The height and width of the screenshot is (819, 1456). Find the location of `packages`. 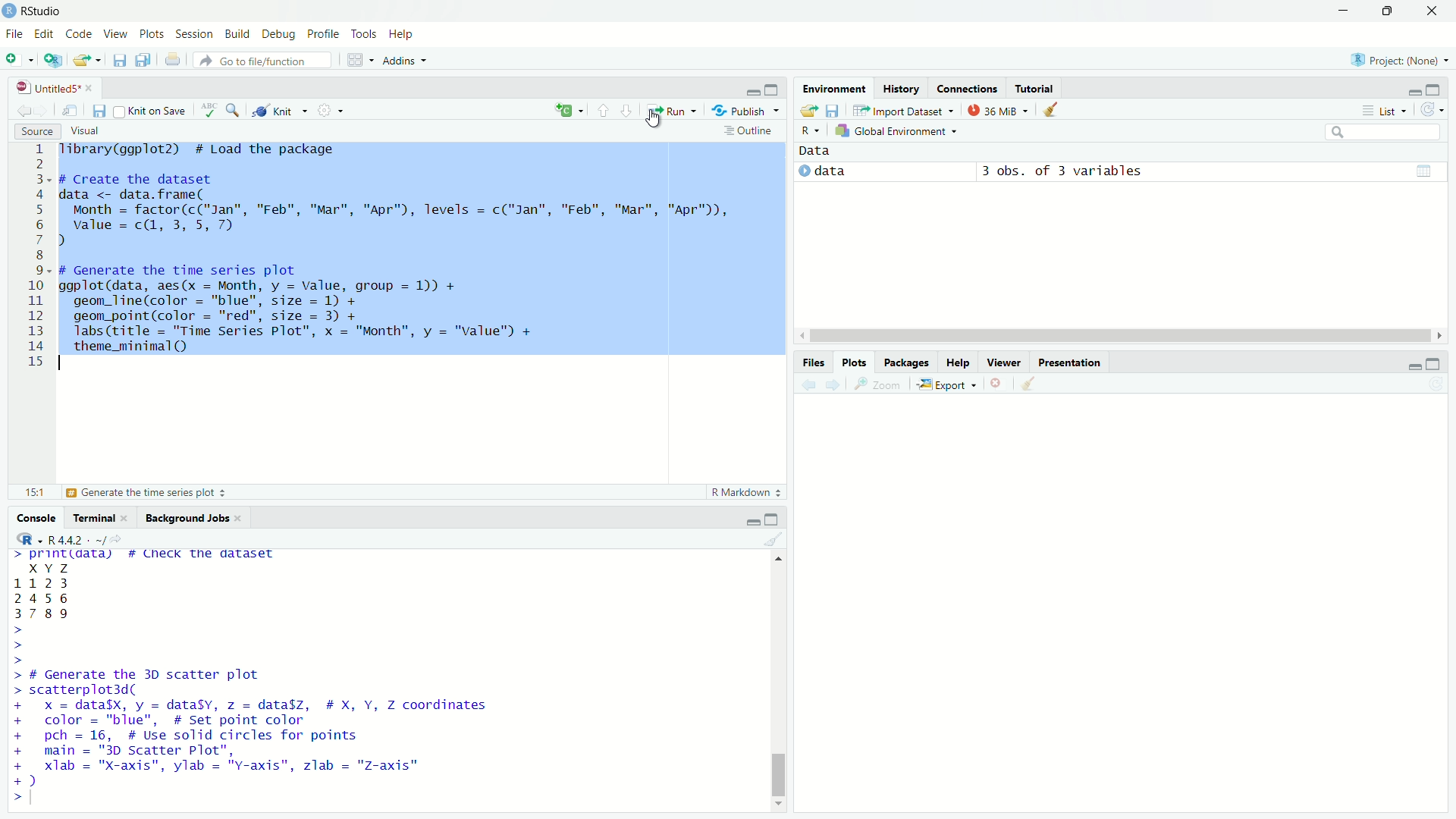

packages is located at coordinates (908, 363).